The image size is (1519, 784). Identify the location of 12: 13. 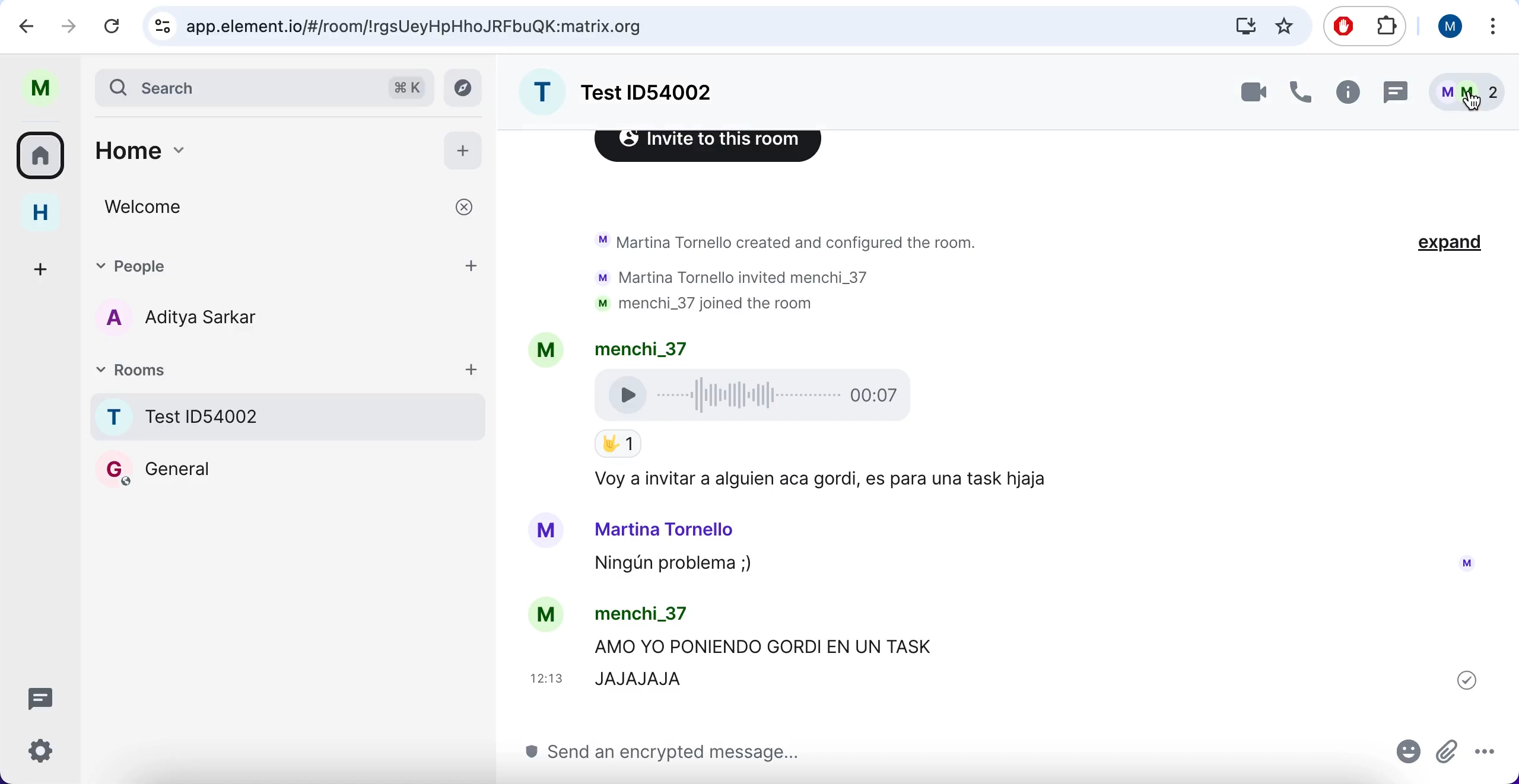
(545, 678).